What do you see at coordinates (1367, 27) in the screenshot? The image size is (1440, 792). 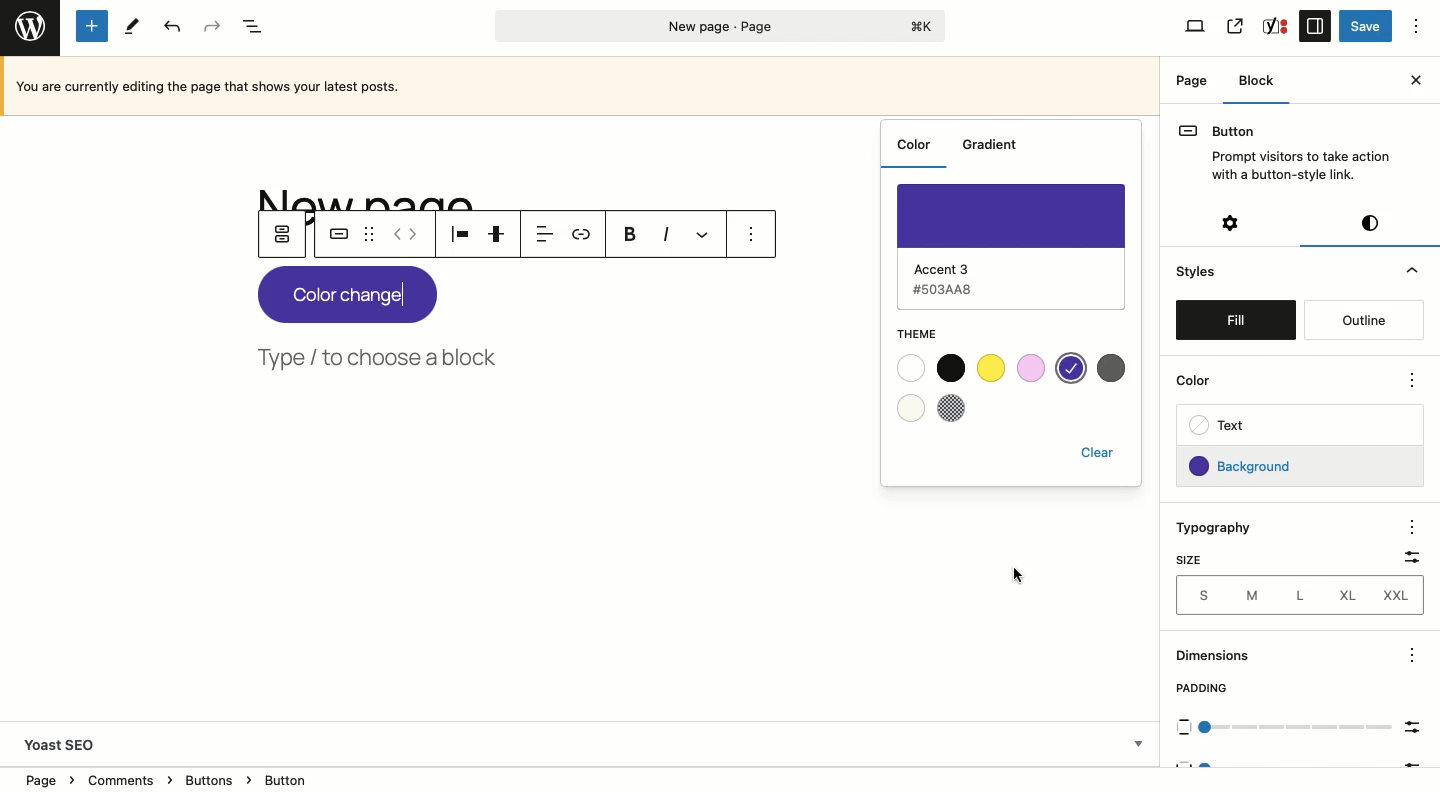 I see `Save` at bounding box center [1367, 27].